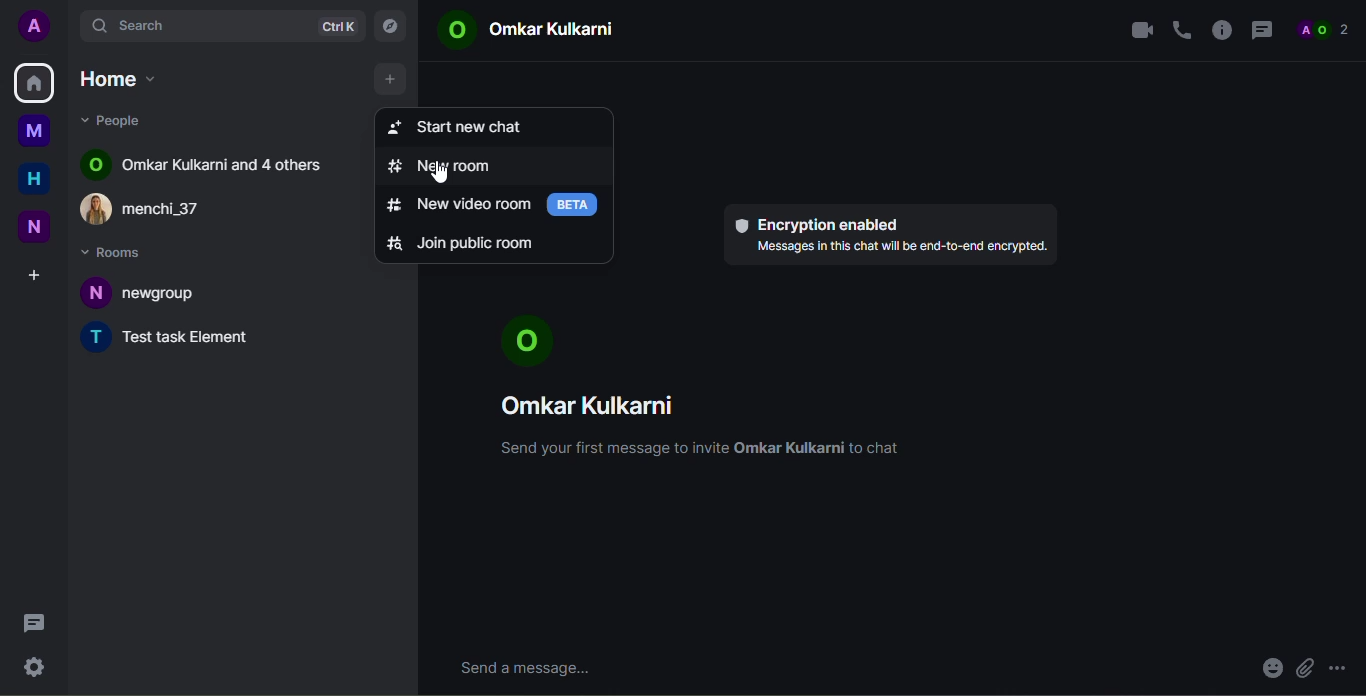  I want to click on threads, so click(1261, 30).